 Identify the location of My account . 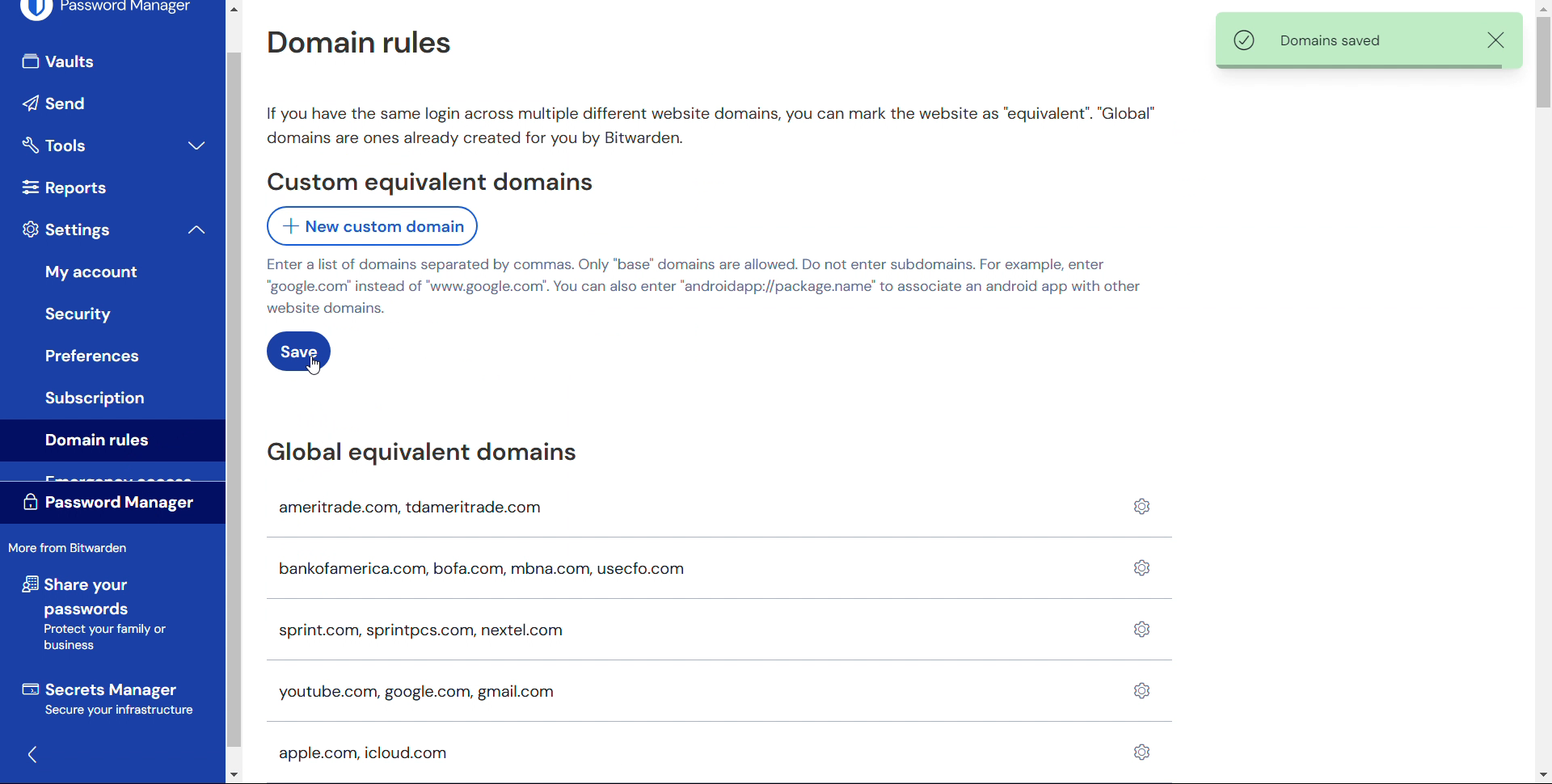
(95, 269).